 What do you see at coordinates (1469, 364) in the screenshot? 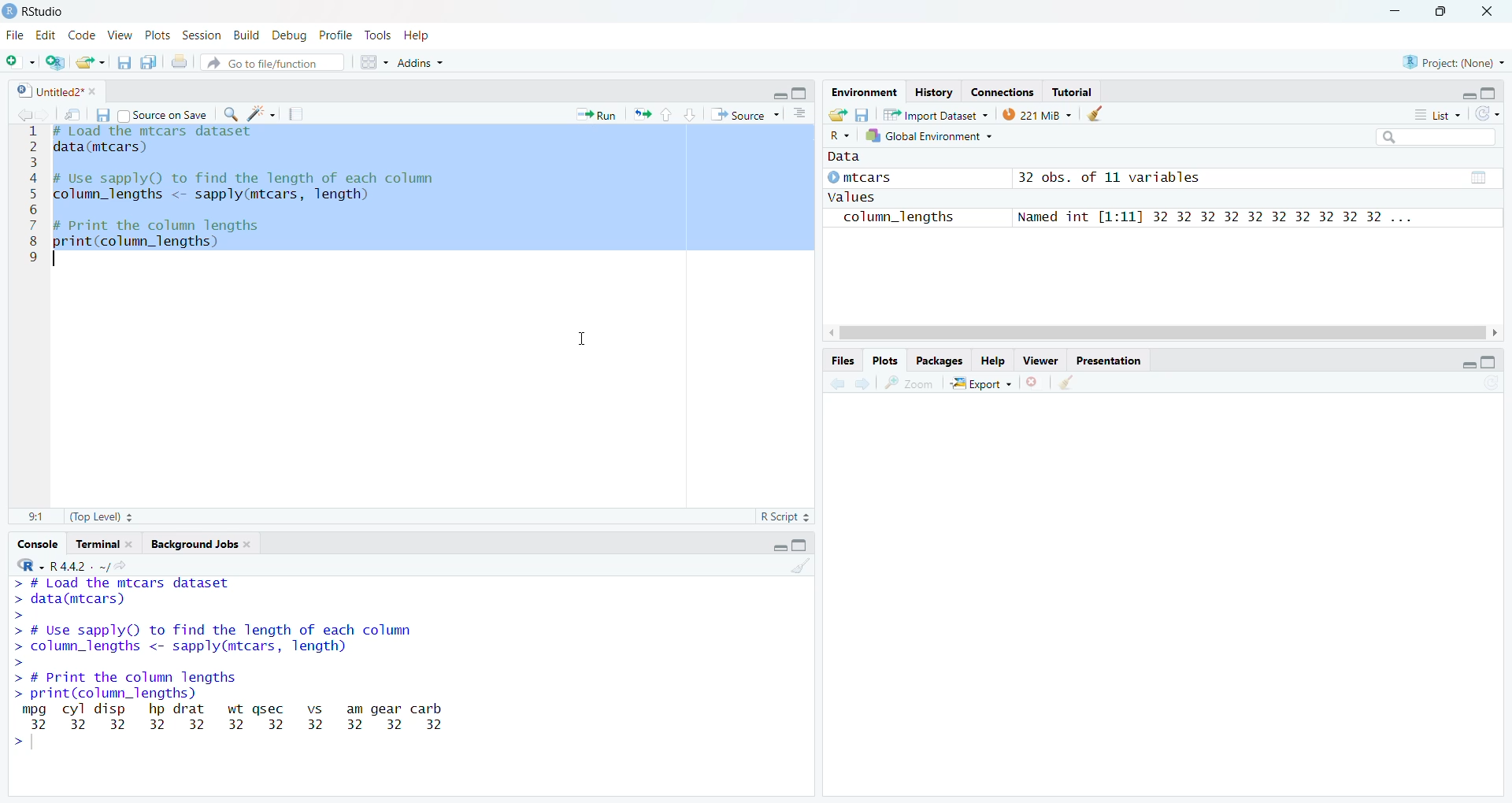
I see `Hide` at bounding box center [1469, 364].